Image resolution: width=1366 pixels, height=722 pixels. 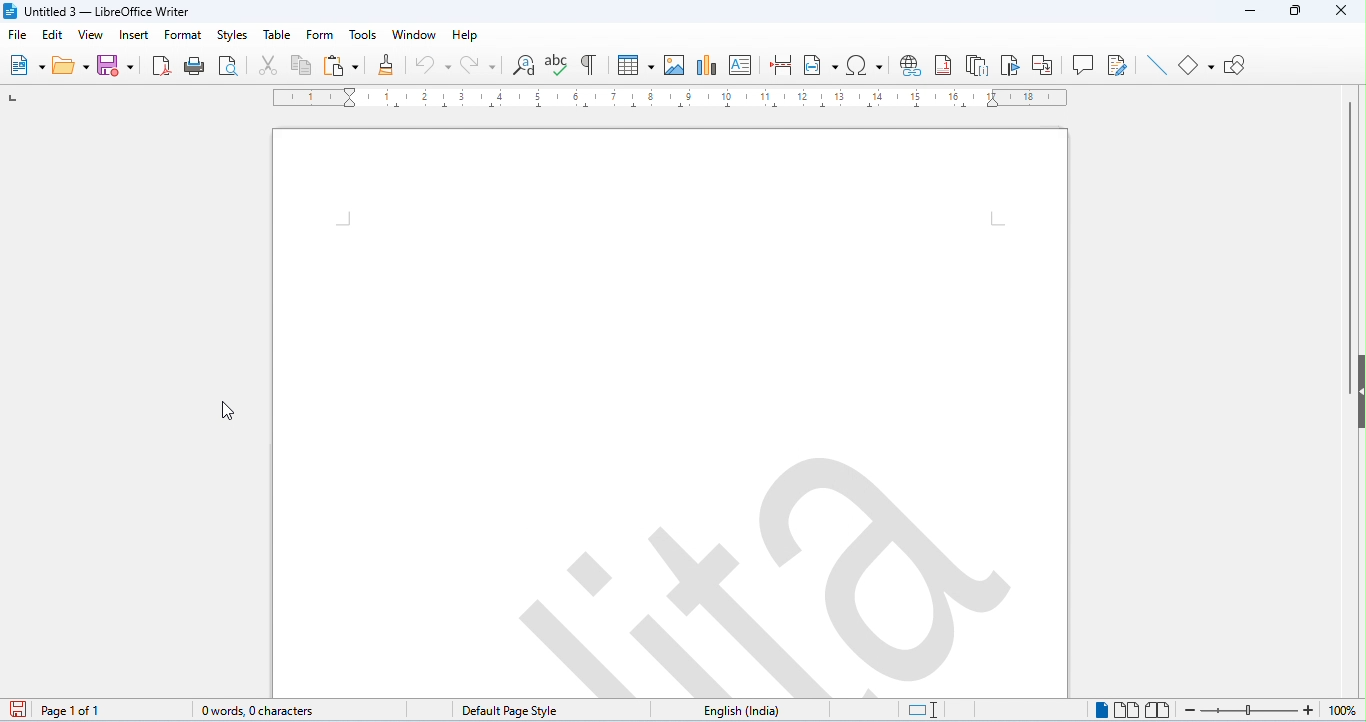 I want to click on tools, so click(x=365, y=36).